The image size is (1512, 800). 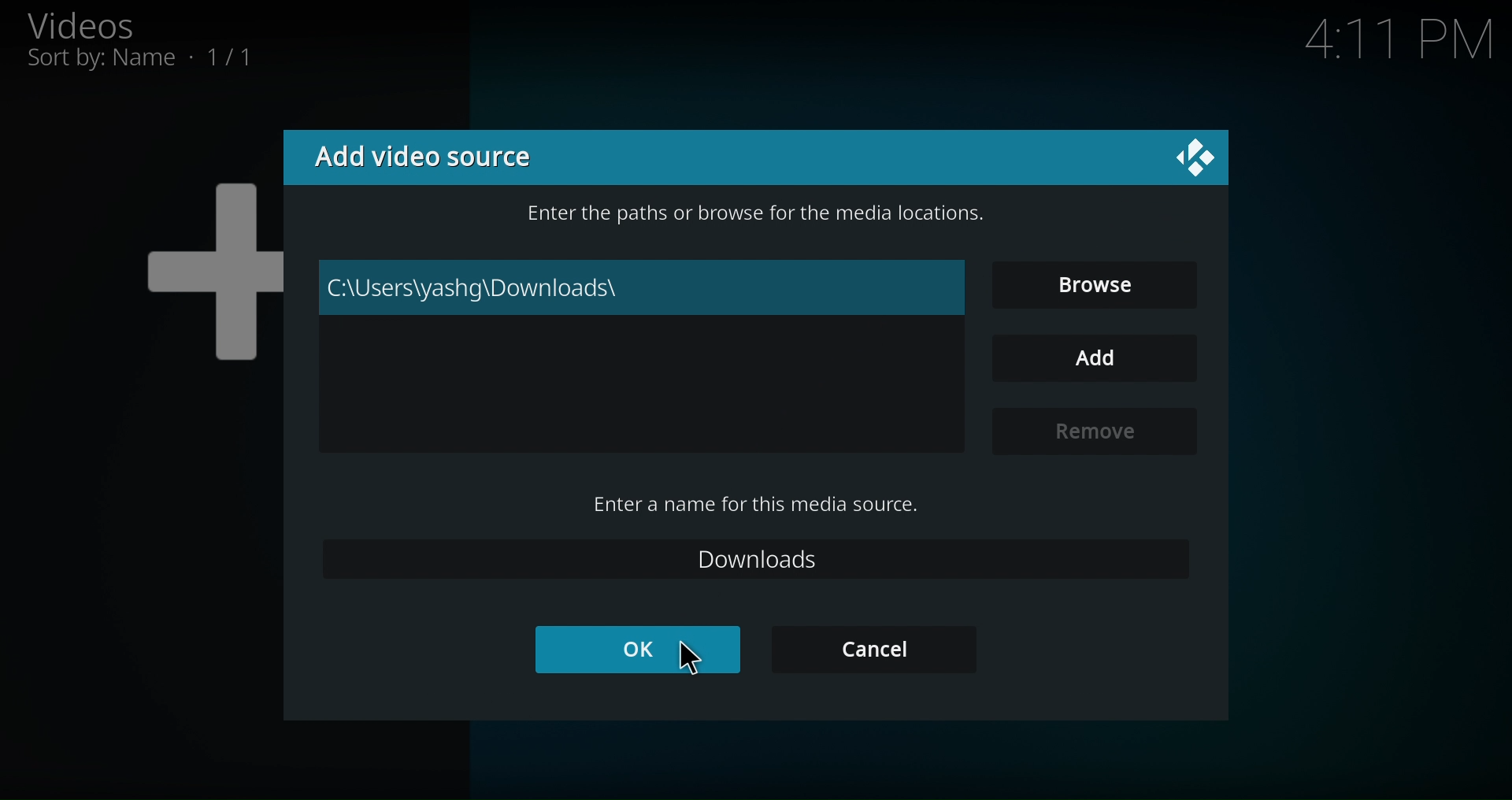 What do you see at coordinates (633, 649) in the screenshot?
I see `Ok` at bounding box center [633, 649].